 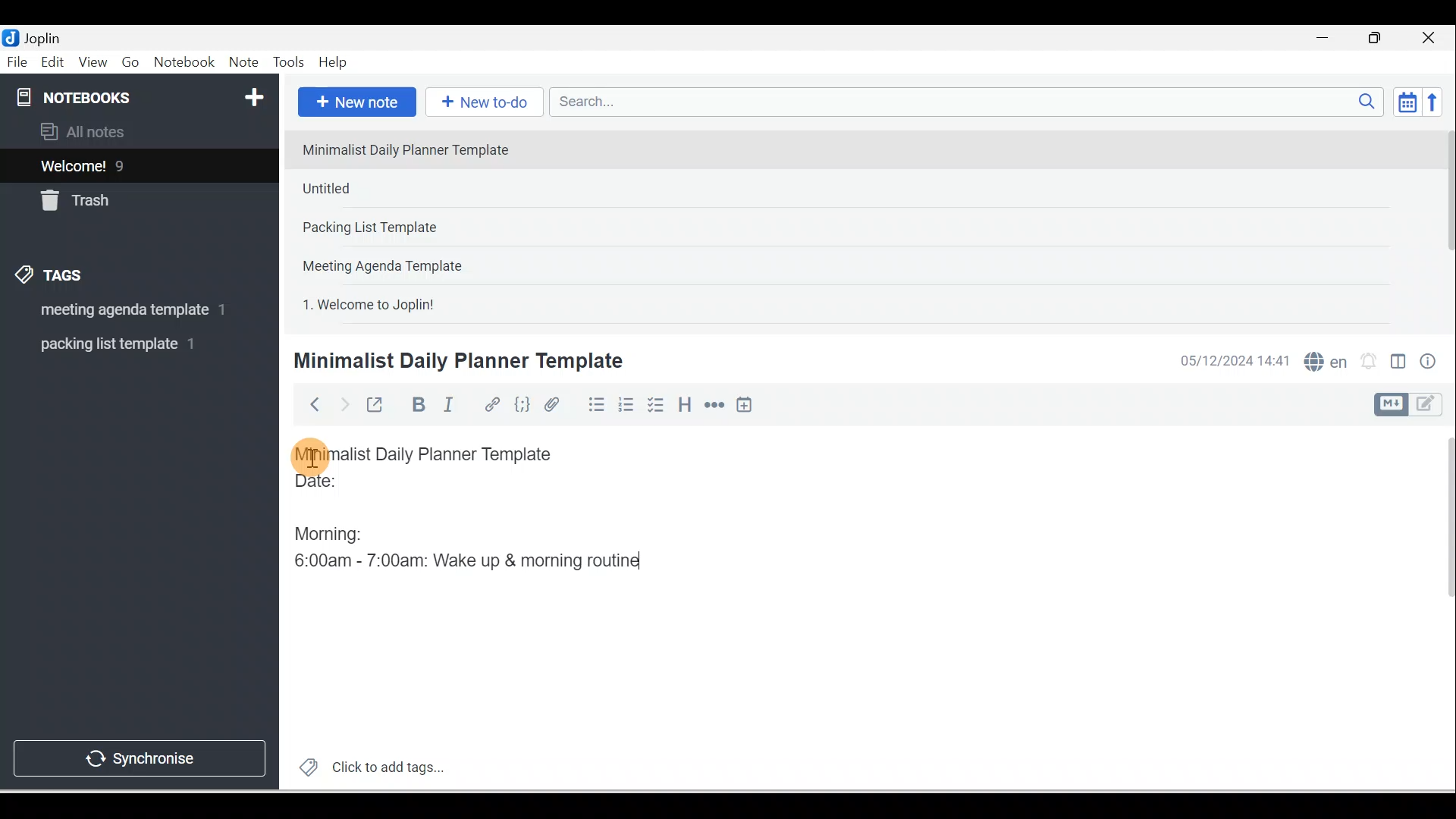 I want to click on Code, so click(x=522, y=406).